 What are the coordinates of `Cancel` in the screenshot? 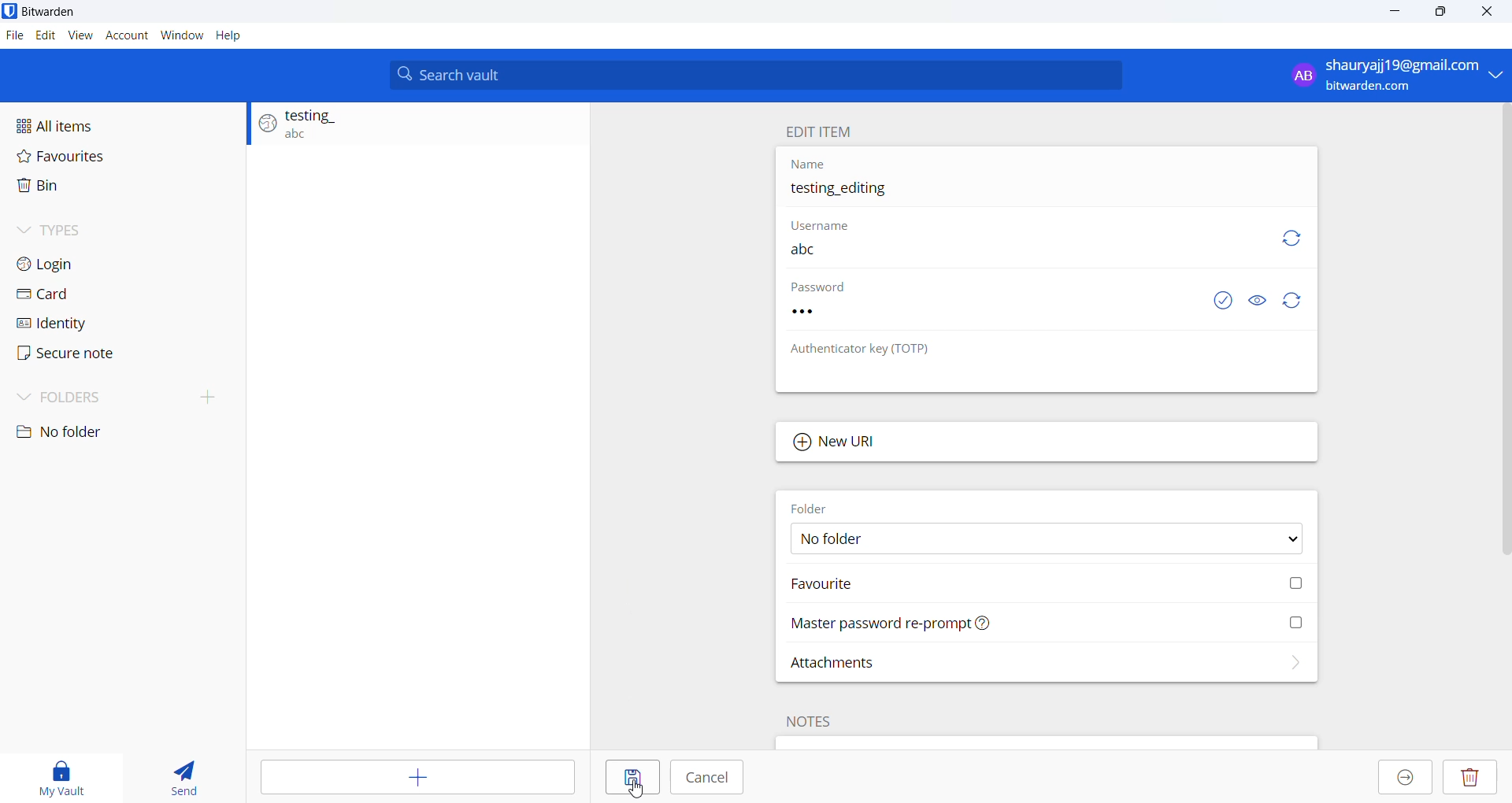 It's located at (708, 779).